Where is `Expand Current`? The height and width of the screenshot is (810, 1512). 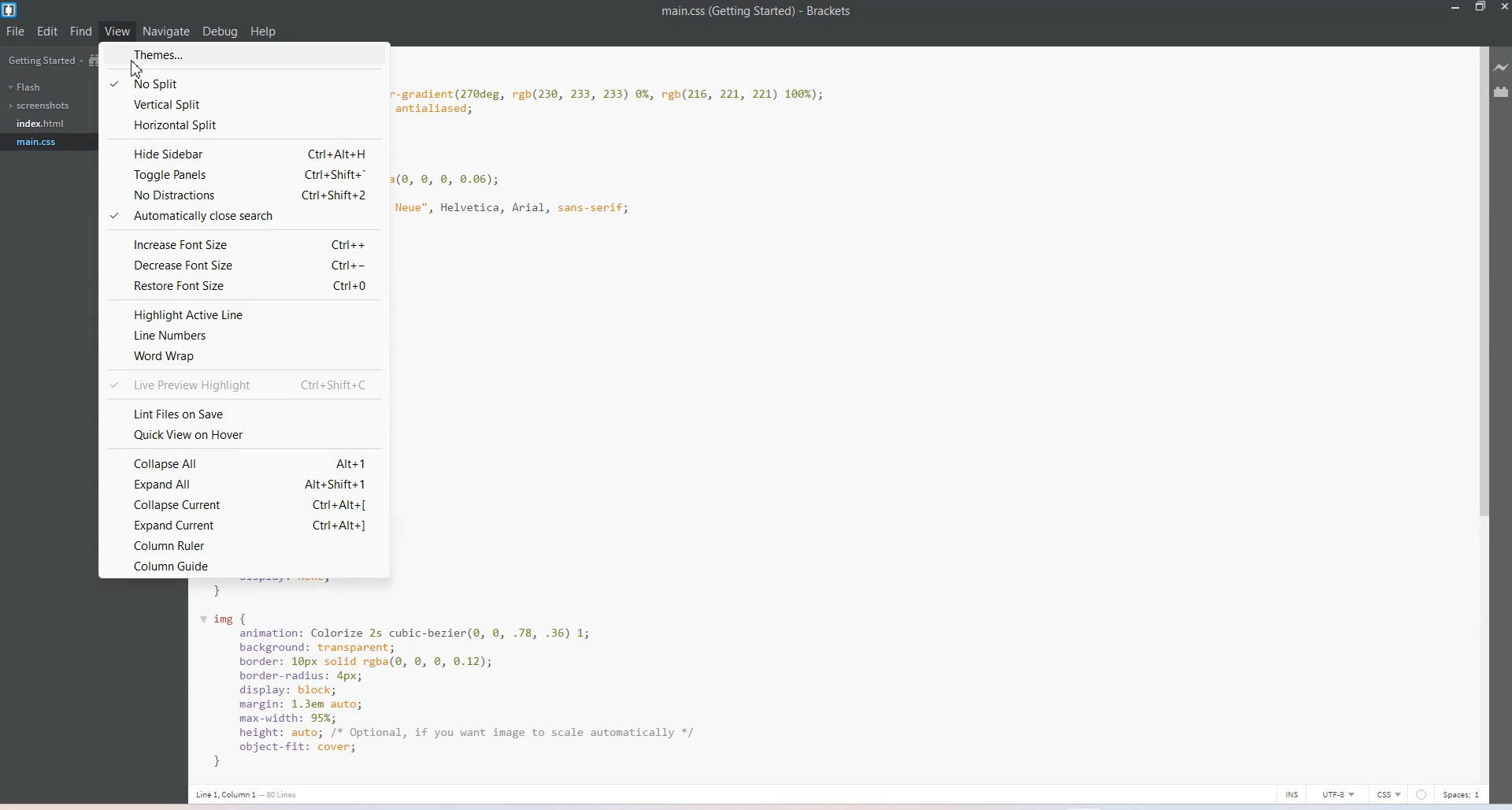
Expand Current is located at coordinates (241, 525).